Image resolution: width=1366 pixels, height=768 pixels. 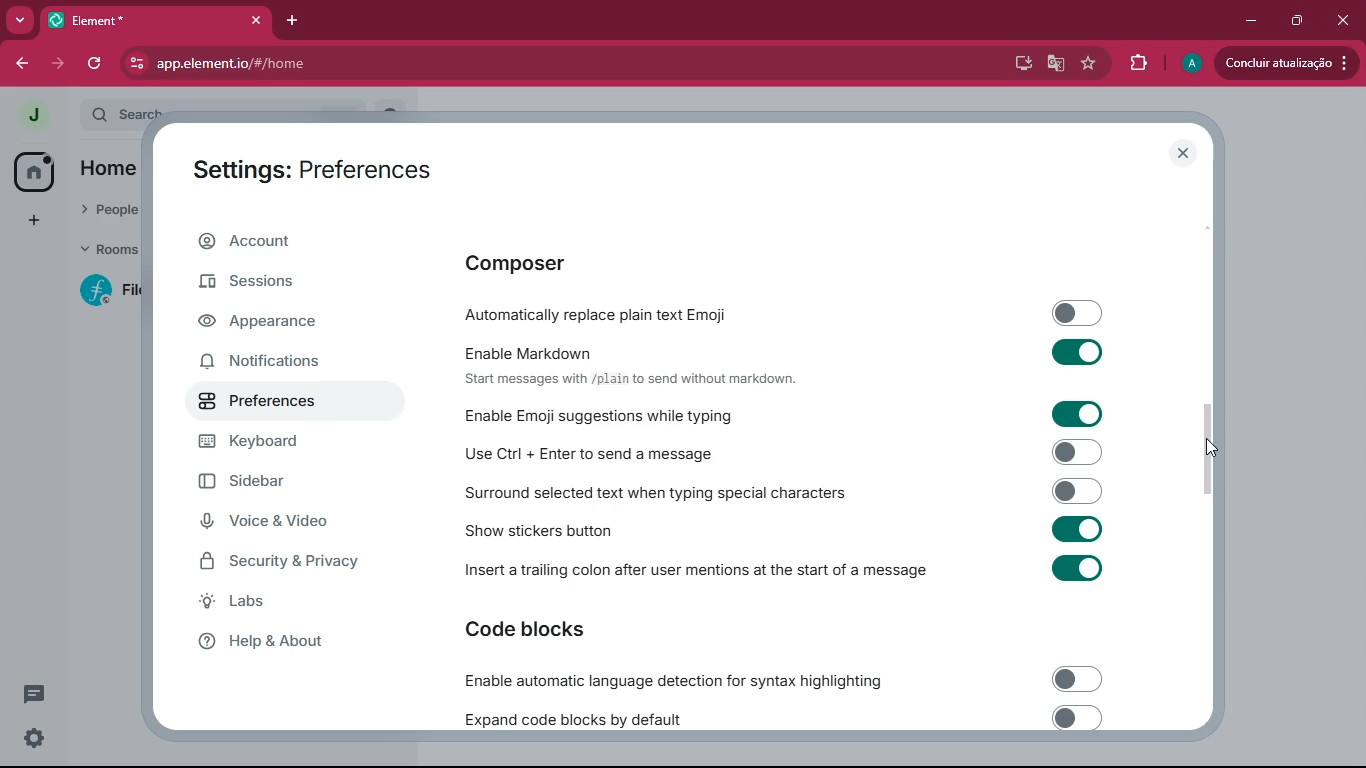 I want to click on labs, so click(x=279, y=606).